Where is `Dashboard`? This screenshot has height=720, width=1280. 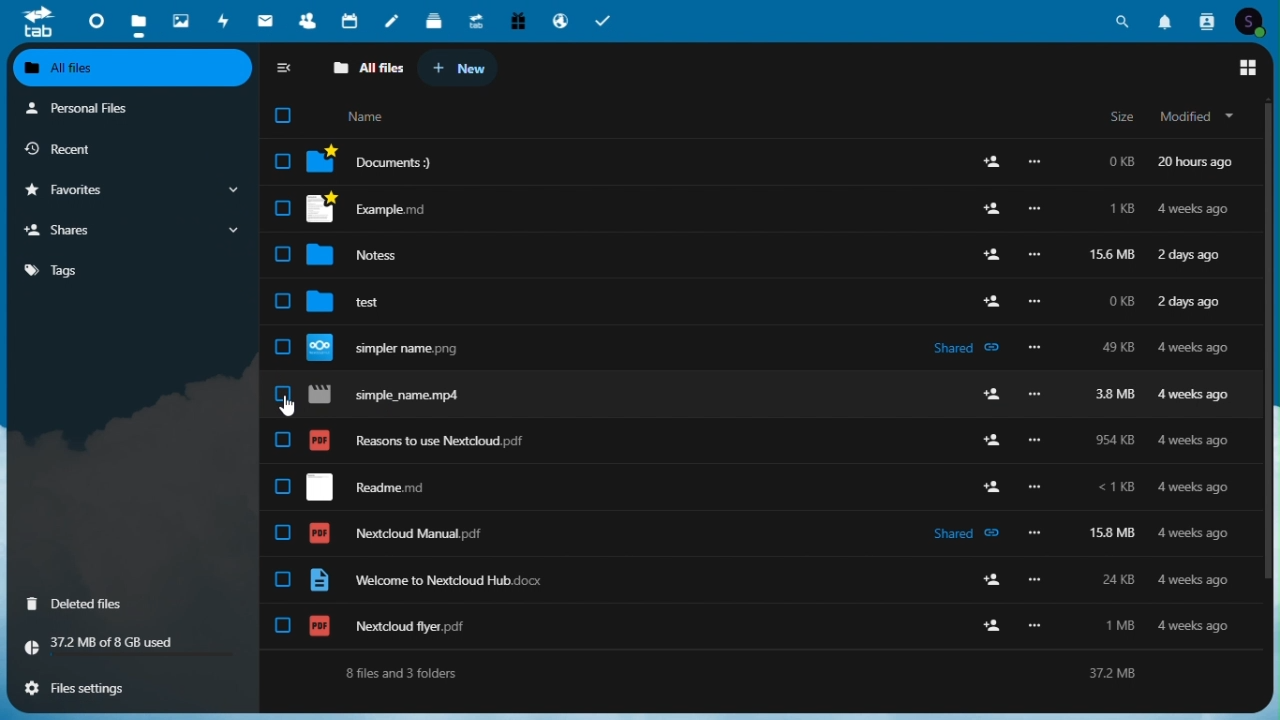 Dashboard is located at coordinates (95, 18).